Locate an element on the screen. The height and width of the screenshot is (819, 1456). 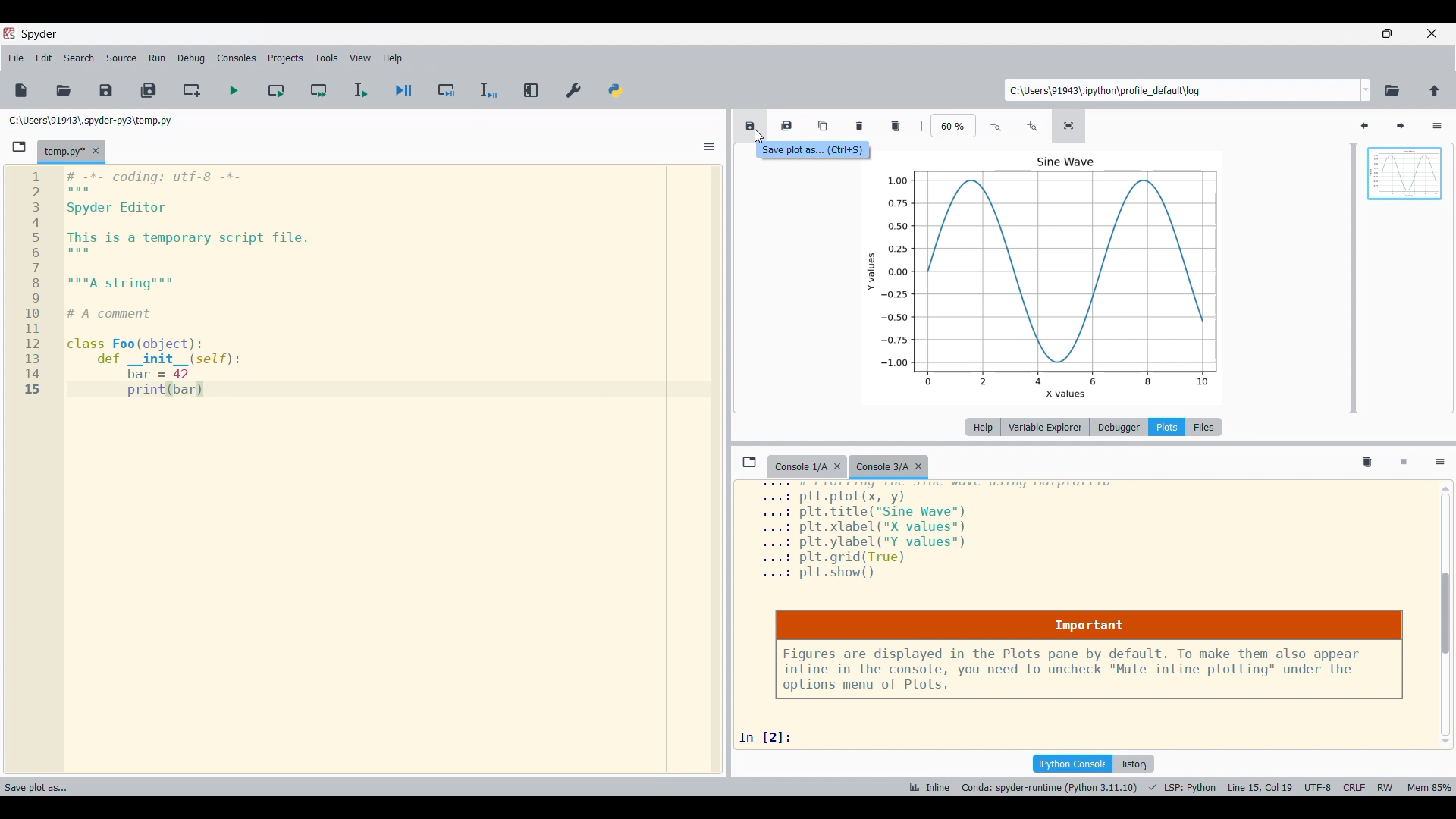
PROGRAMMING LANGUAGE is located at coordinates (1183, 787).